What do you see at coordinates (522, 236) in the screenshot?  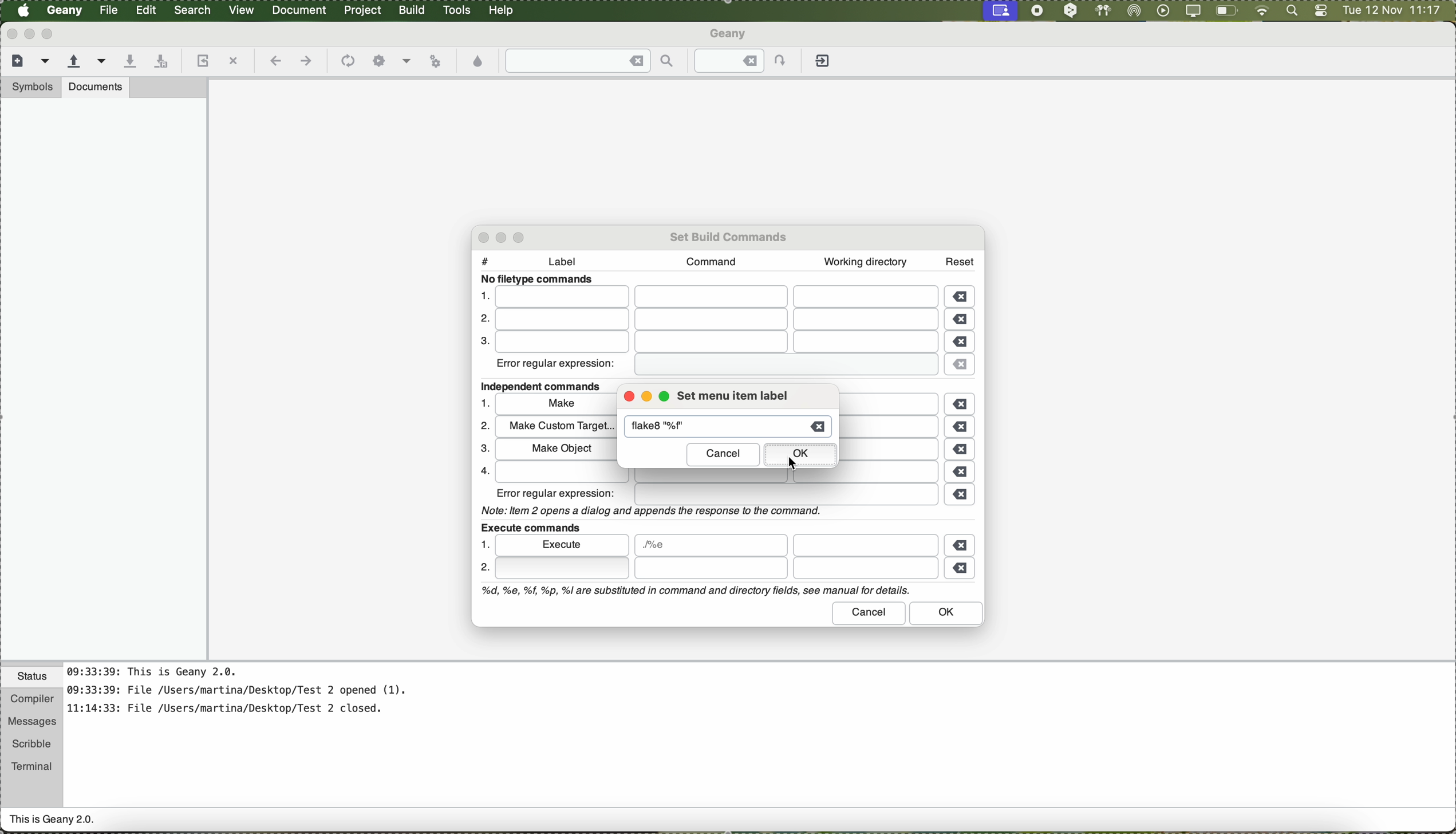 I see `maximize` at bounding box center [522, 236].